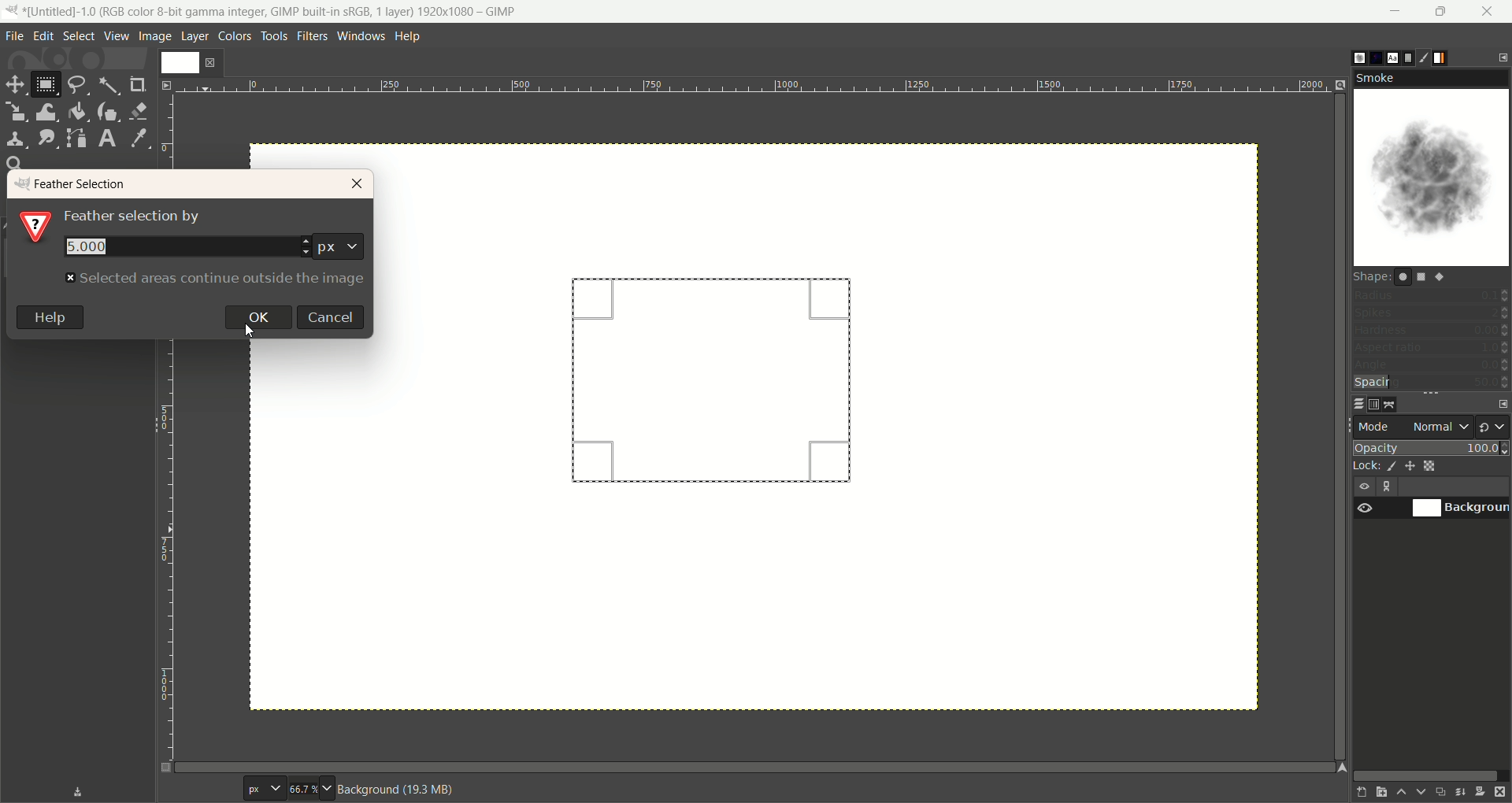  I want to click on wrap transform, so click(46, 111).